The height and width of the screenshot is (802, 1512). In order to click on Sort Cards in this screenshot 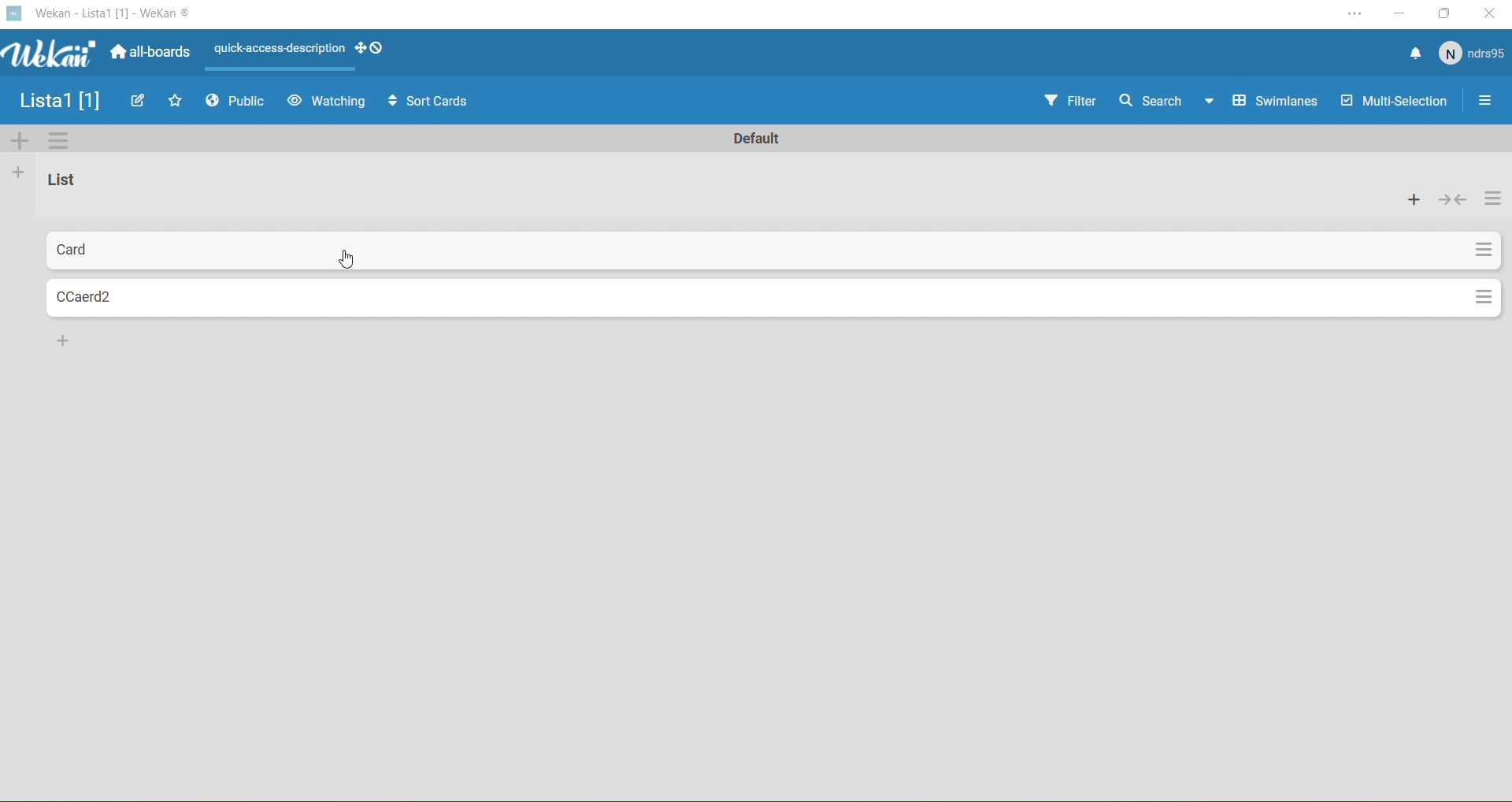, I will do `click(421, 100)`.